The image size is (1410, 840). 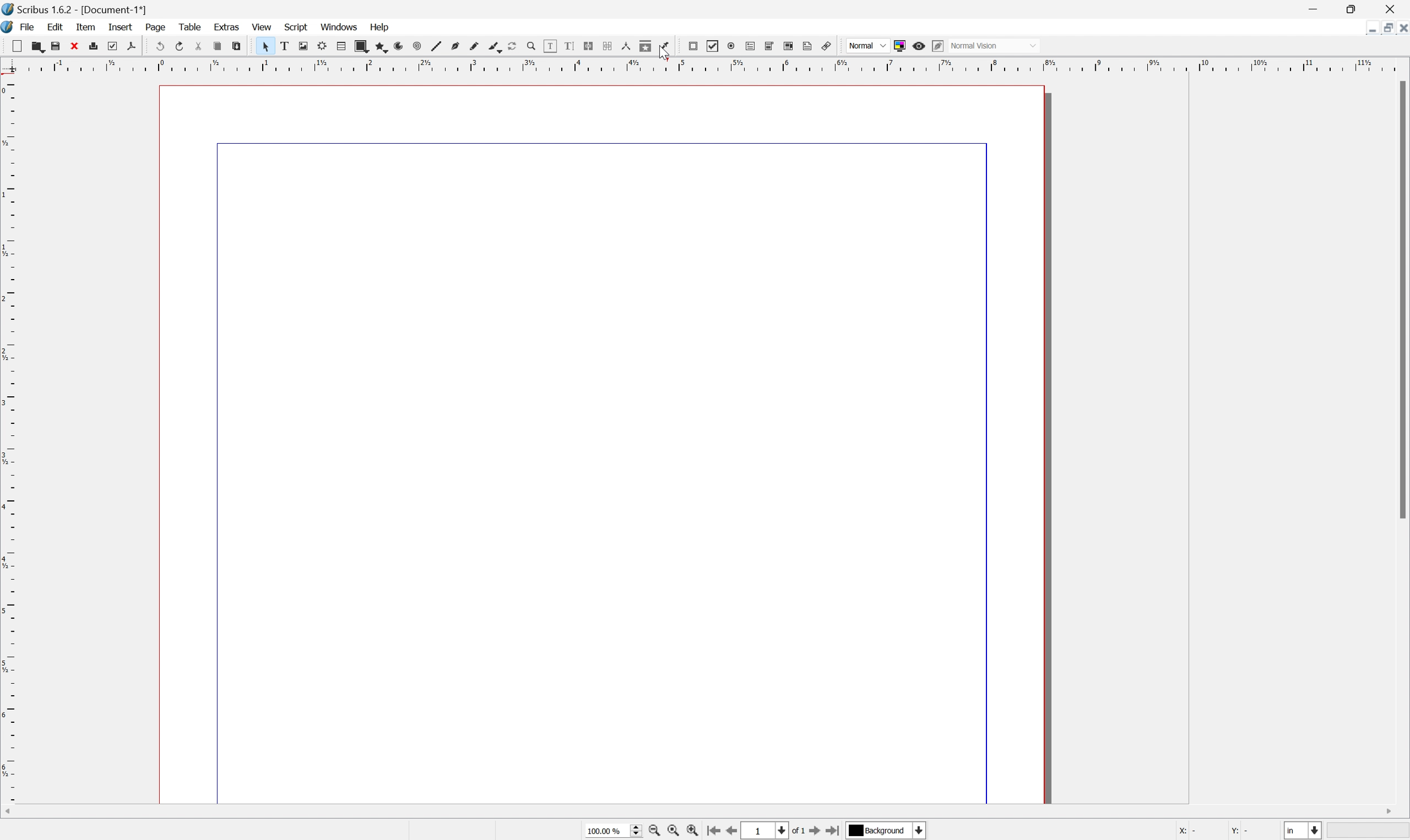 I want to click on PDF combo box, so click(x=768, y=46).